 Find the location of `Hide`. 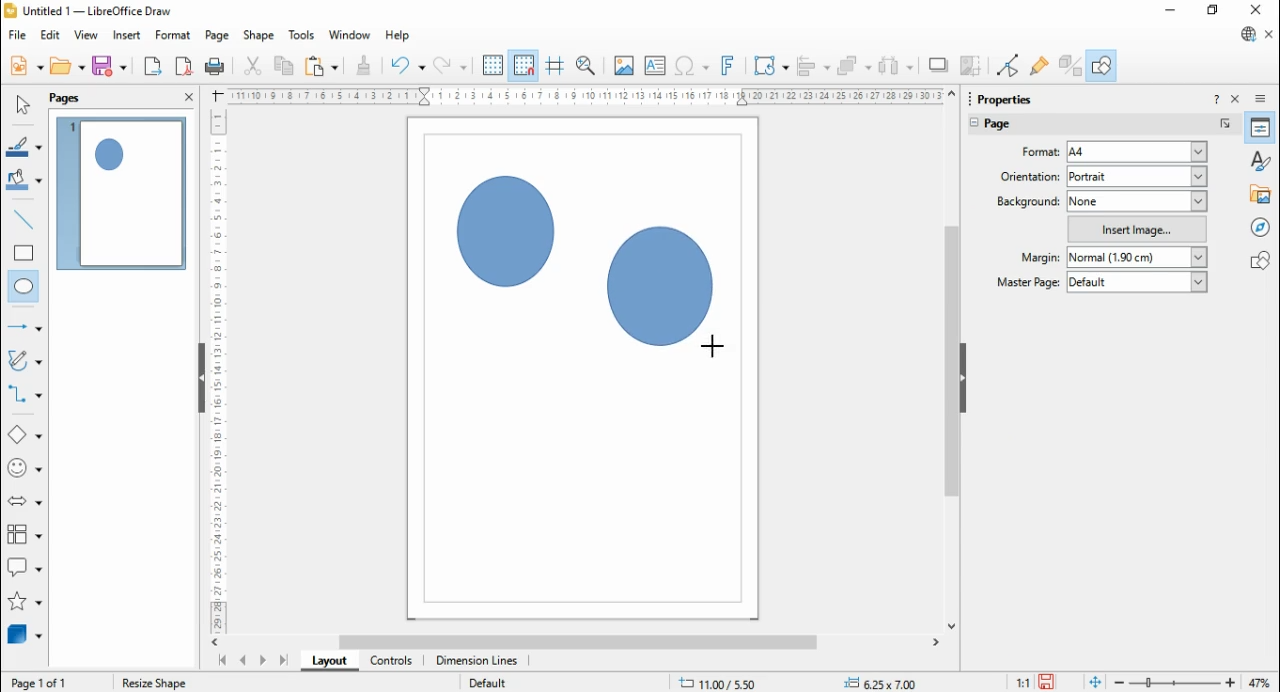

Hide is located at coordinates (201, 380).